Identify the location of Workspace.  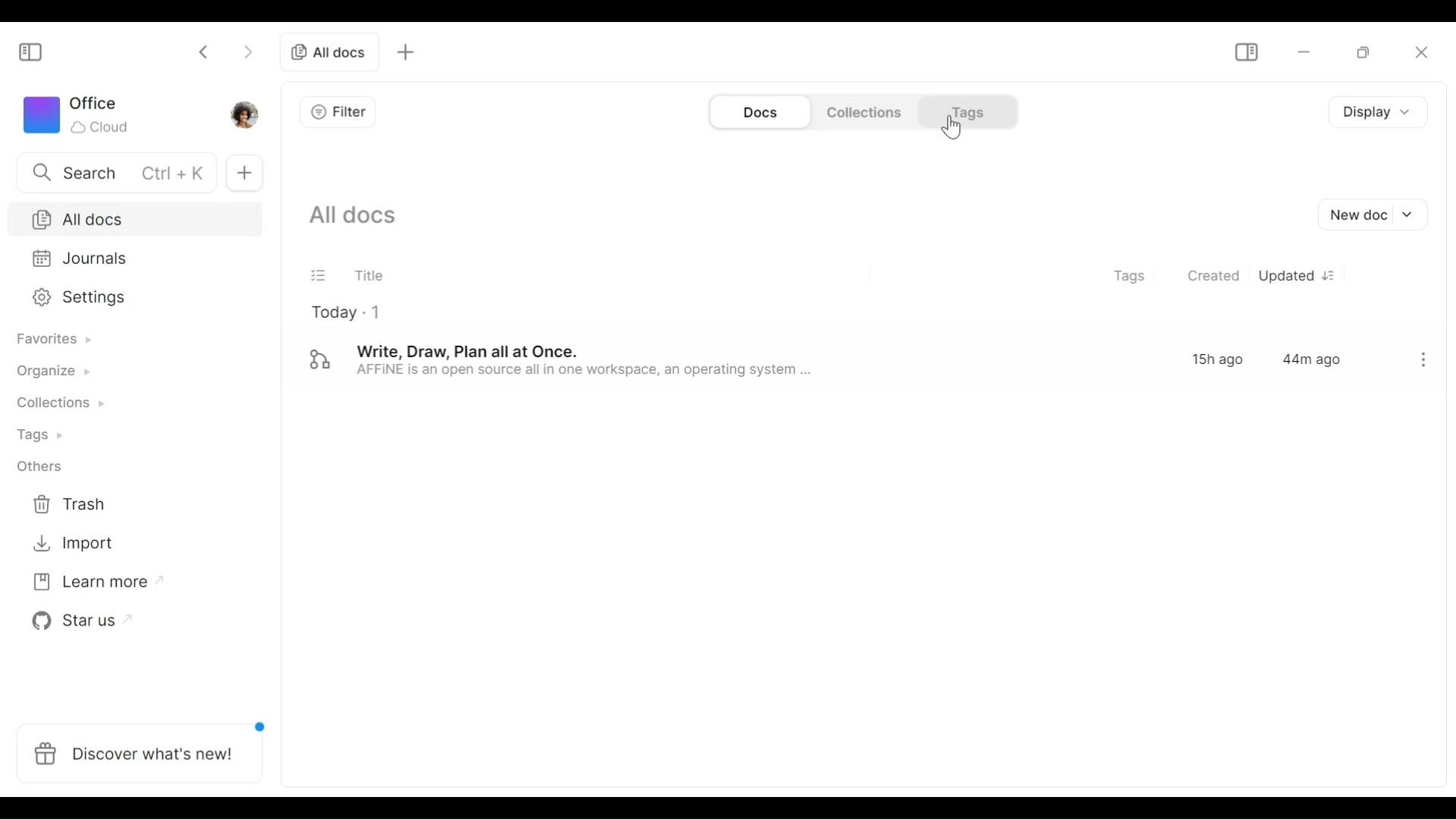
(87, 113).